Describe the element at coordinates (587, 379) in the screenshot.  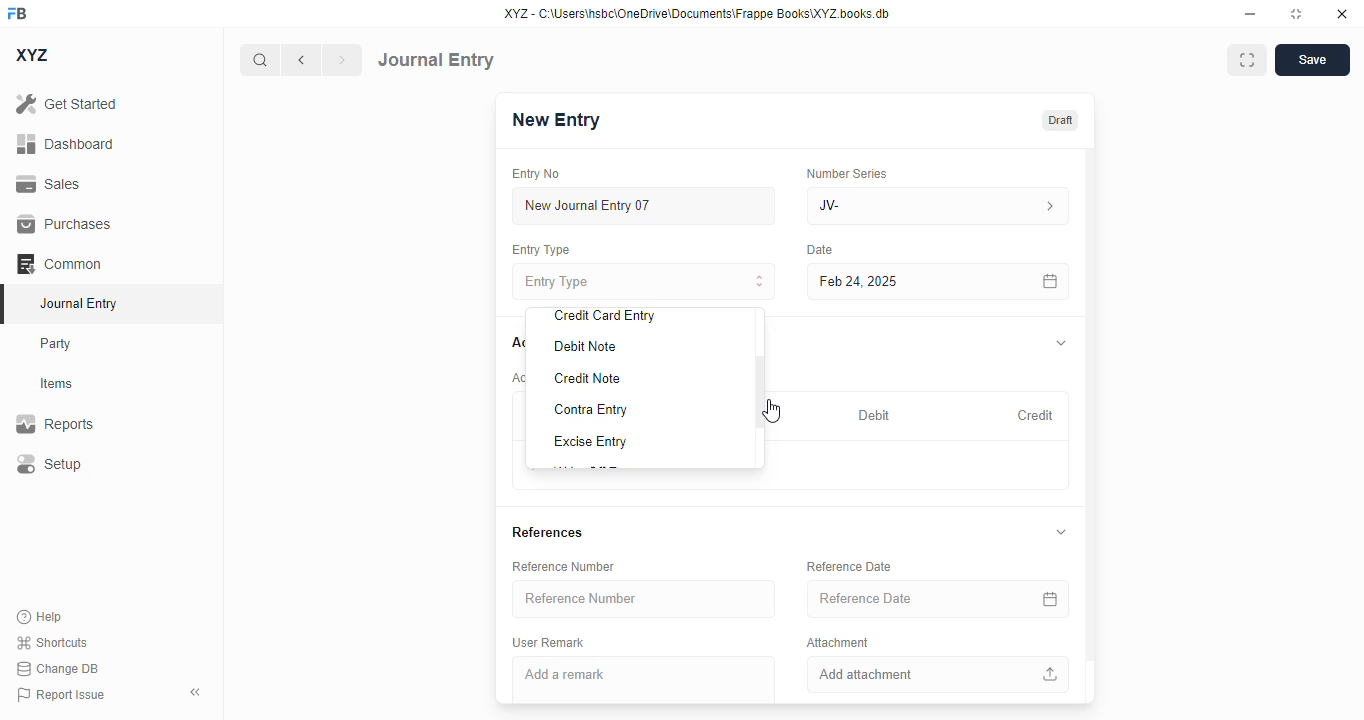
I see `credit note` at that location.